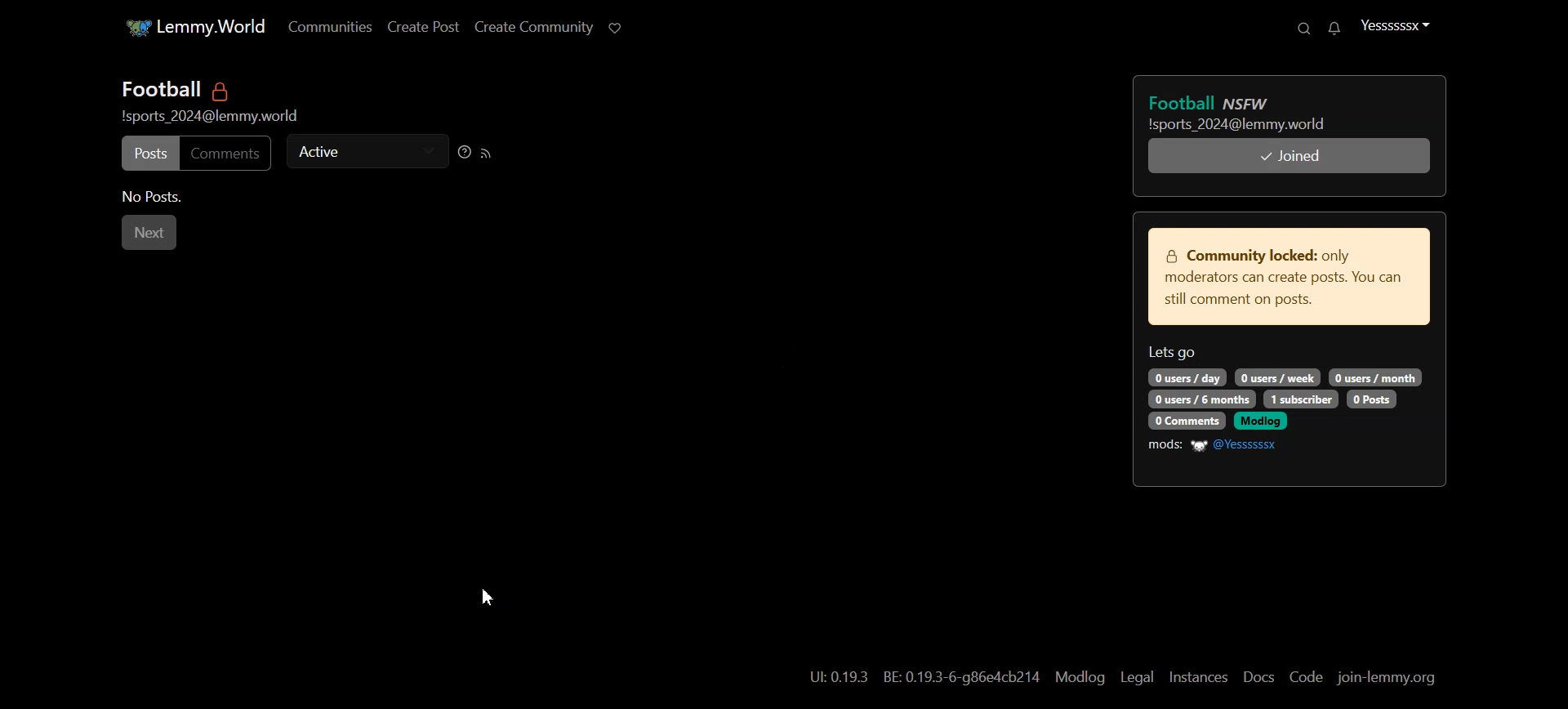  What do you see at coordinates (524, 27) in the screenshot?
I see `Create Community` at bounding box center [524, 27].